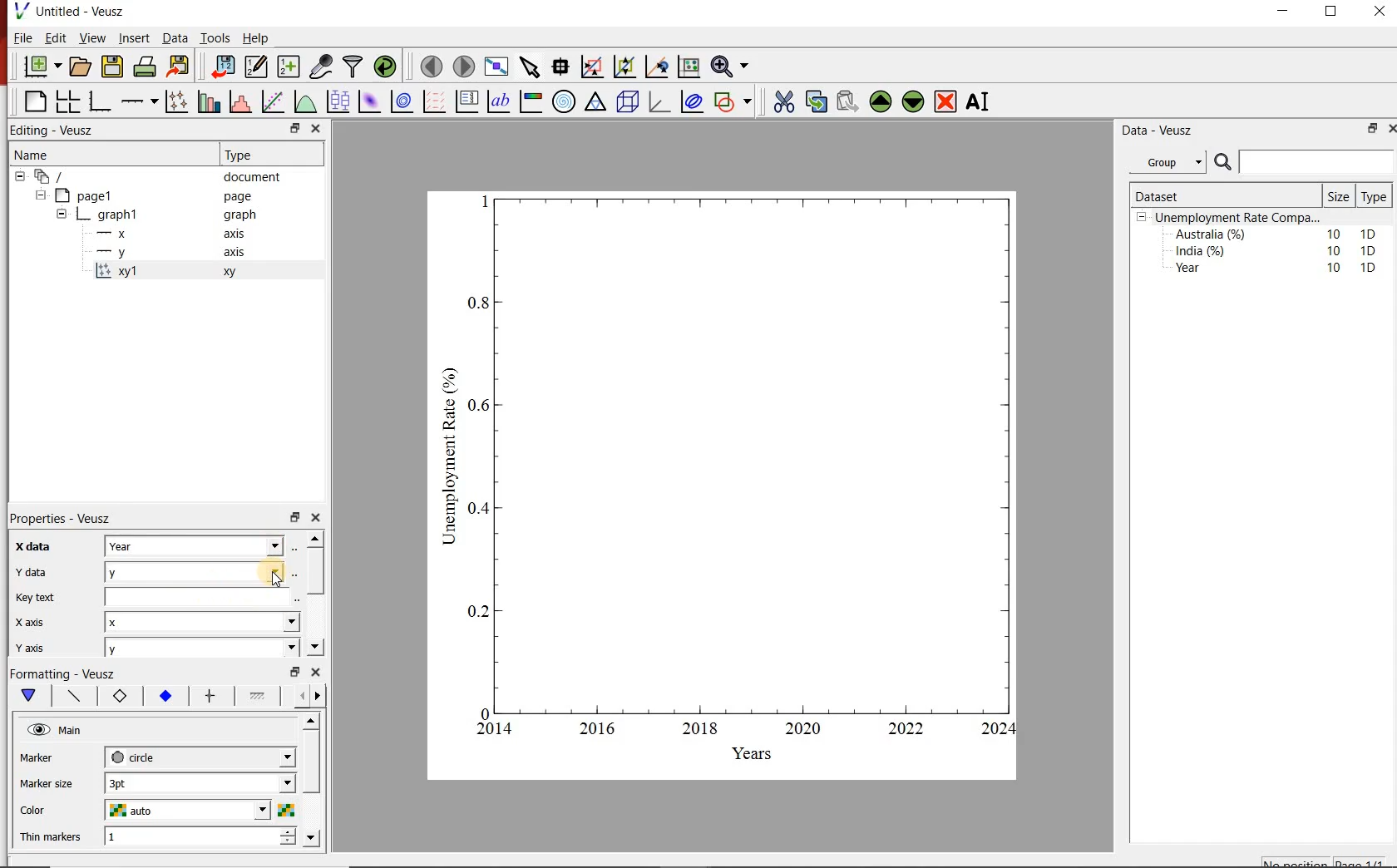 This screenshot has height=868, width=1397. Describe the element at coordinates (945, 101) in the screenshot. I see `remove the widgets` at that location.